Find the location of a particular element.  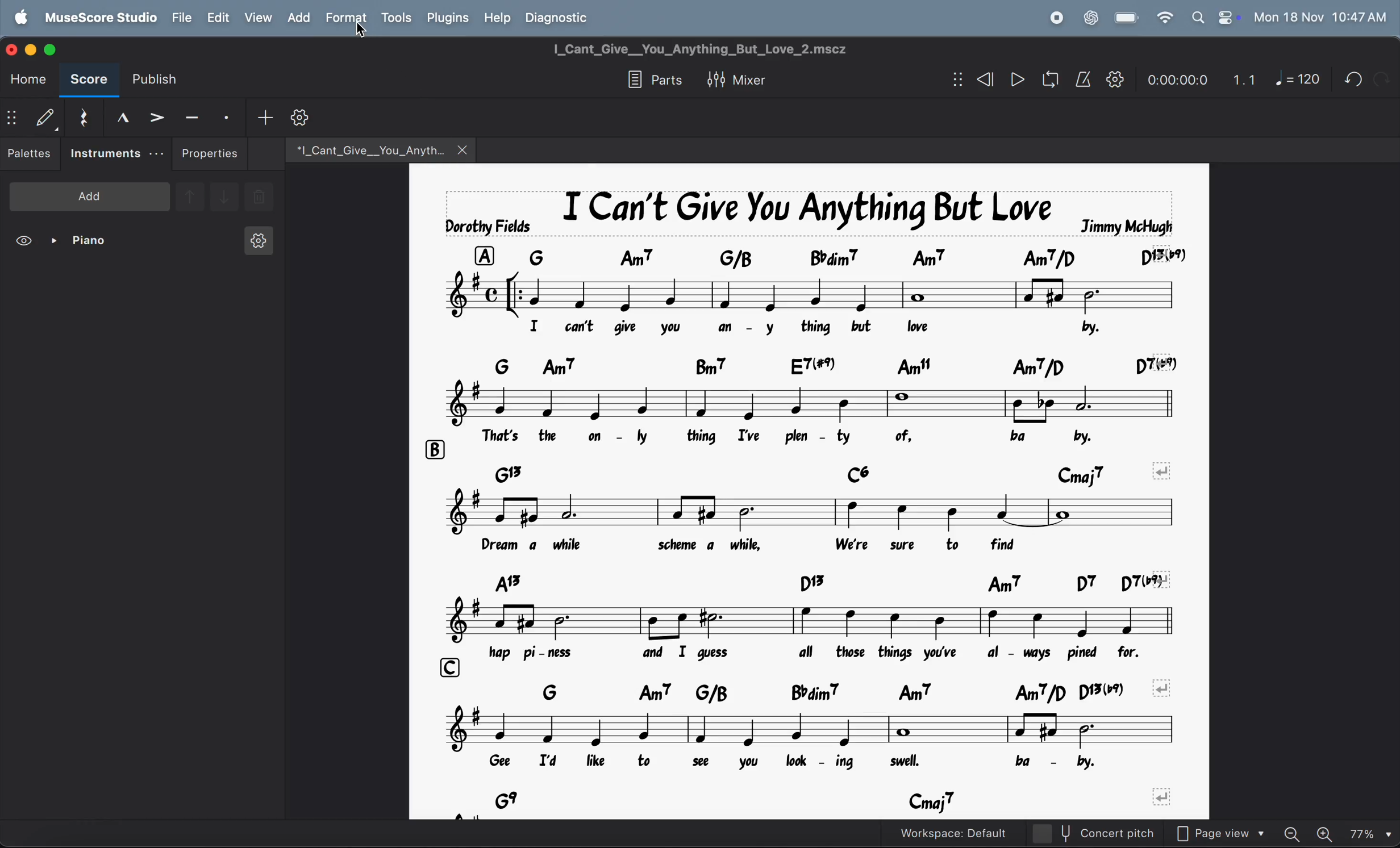

Song title and author is located at coordinates (805, 212).